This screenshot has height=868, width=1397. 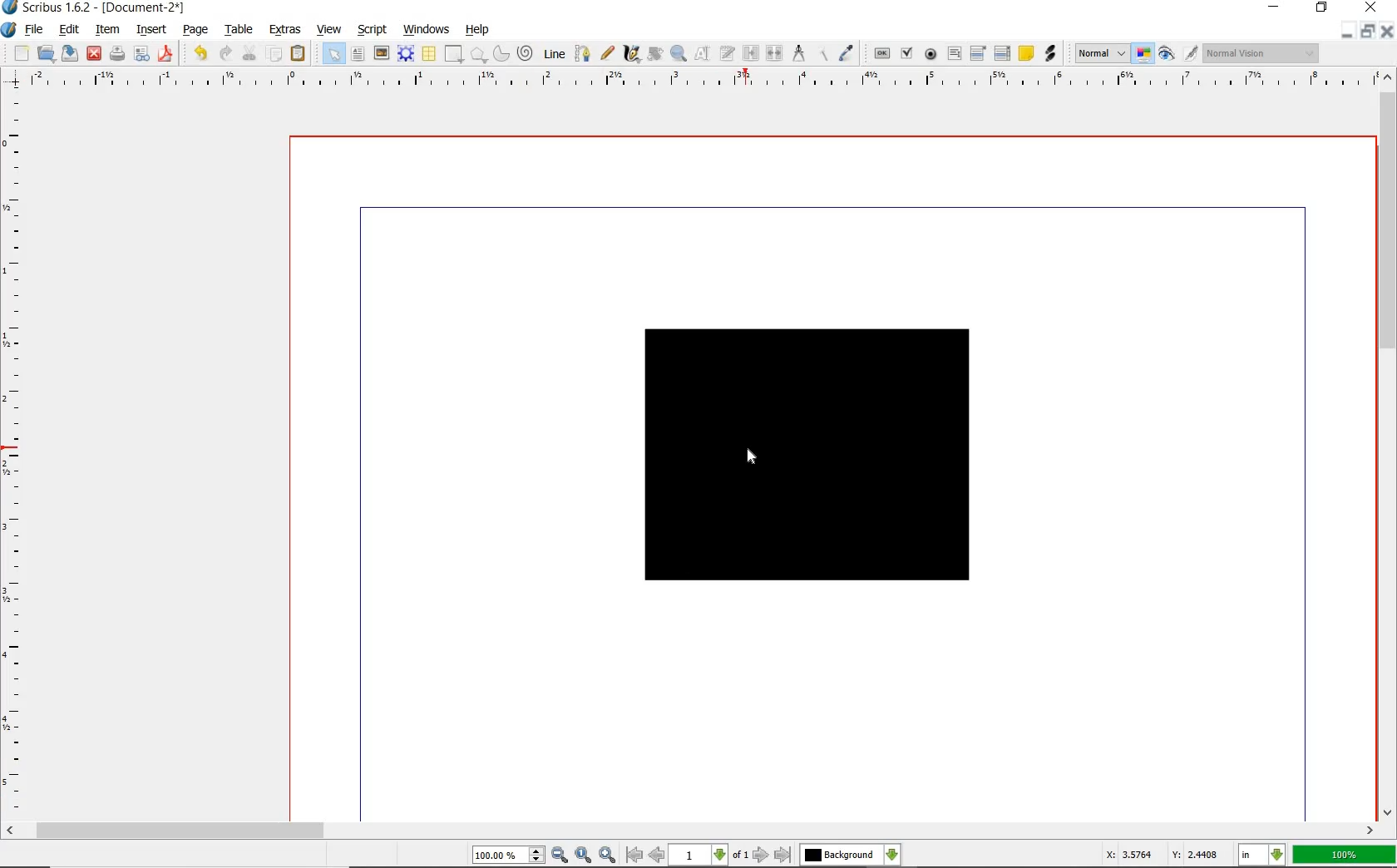 What do you see at coordinates (423, 29) in the screenshot?
I see `windows` at bounding box center [423, 29].